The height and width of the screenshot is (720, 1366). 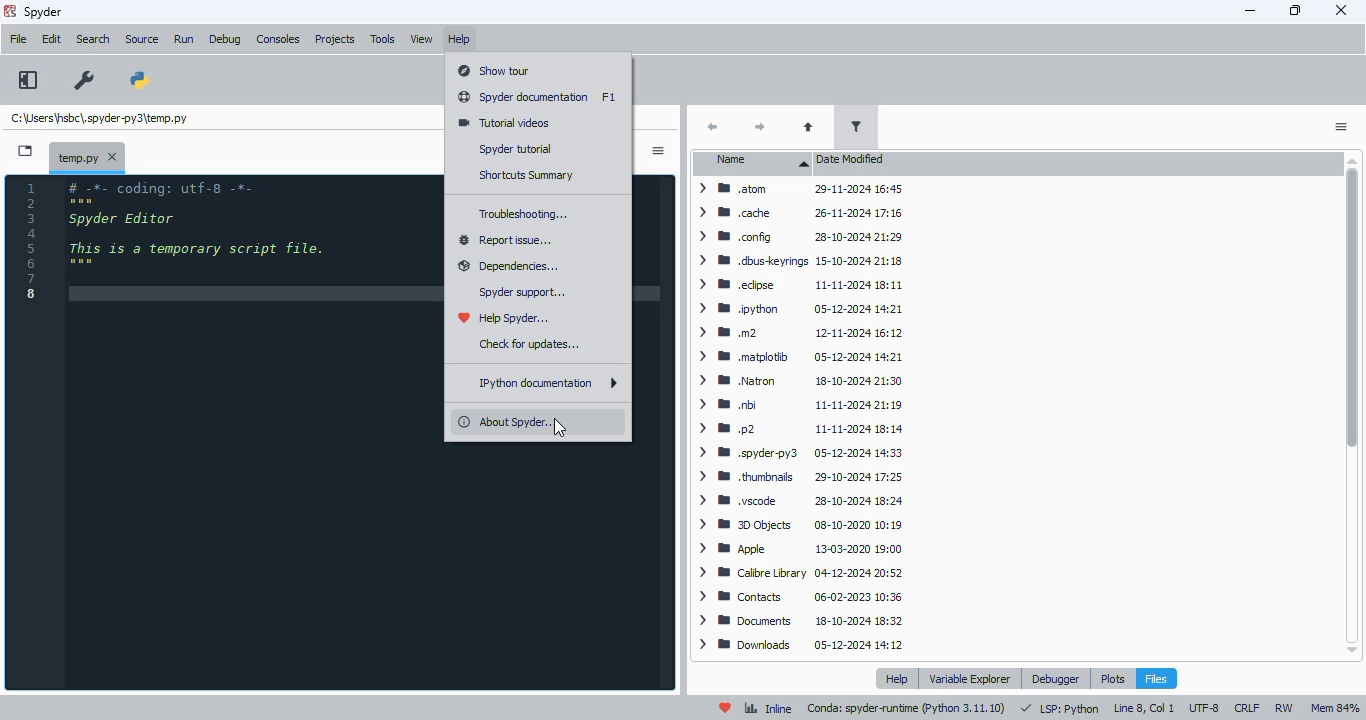 What do you see at coordinates (495, 71) in the screenshot?
I see `show tour` at bounding box center [495, 71].